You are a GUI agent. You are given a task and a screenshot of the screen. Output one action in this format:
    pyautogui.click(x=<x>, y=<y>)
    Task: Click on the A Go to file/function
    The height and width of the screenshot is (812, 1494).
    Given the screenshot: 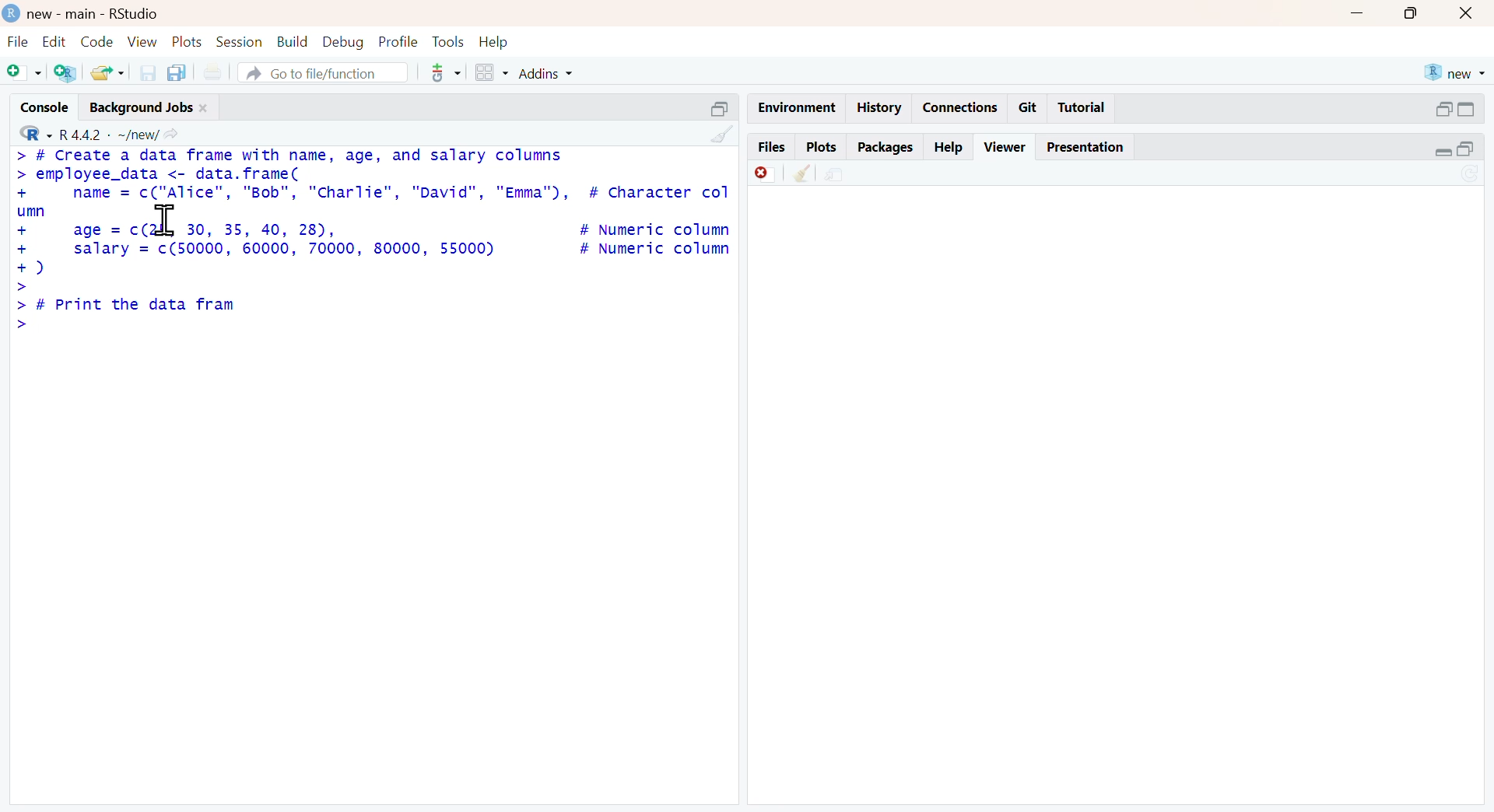 What is the action you would take?
    pyautogui.click(x=316, y=73)
    